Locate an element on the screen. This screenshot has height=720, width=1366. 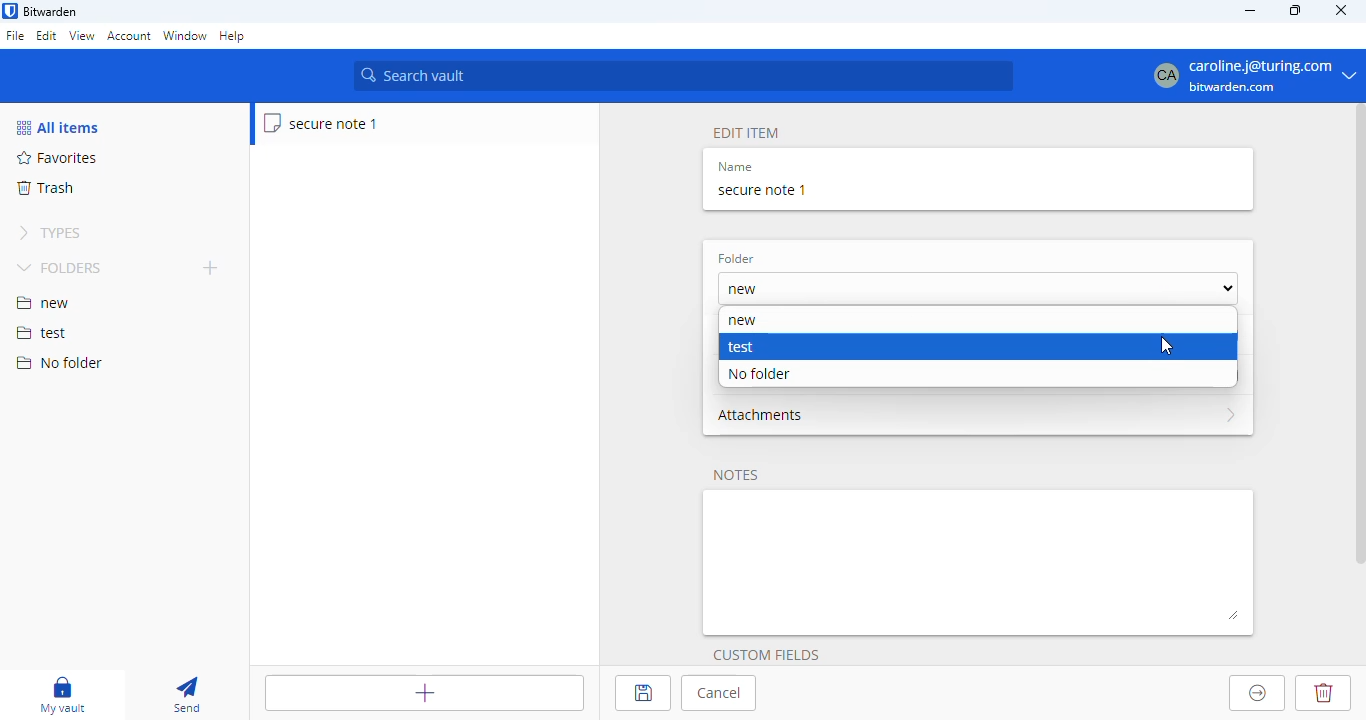
edit item is located at coordinates (747, 134).